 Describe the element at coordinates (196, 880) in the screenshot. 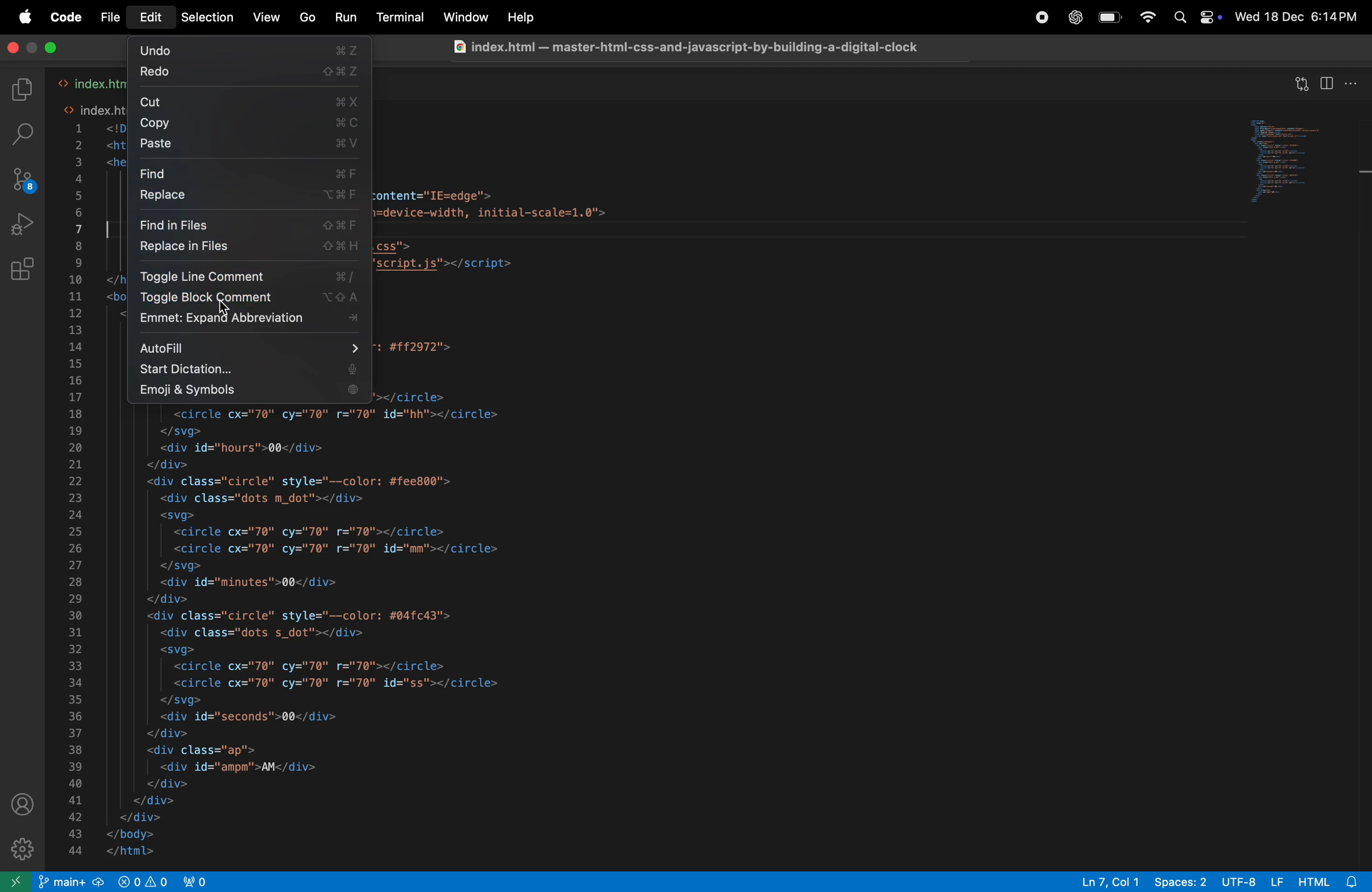

I see `view port ` at that location.